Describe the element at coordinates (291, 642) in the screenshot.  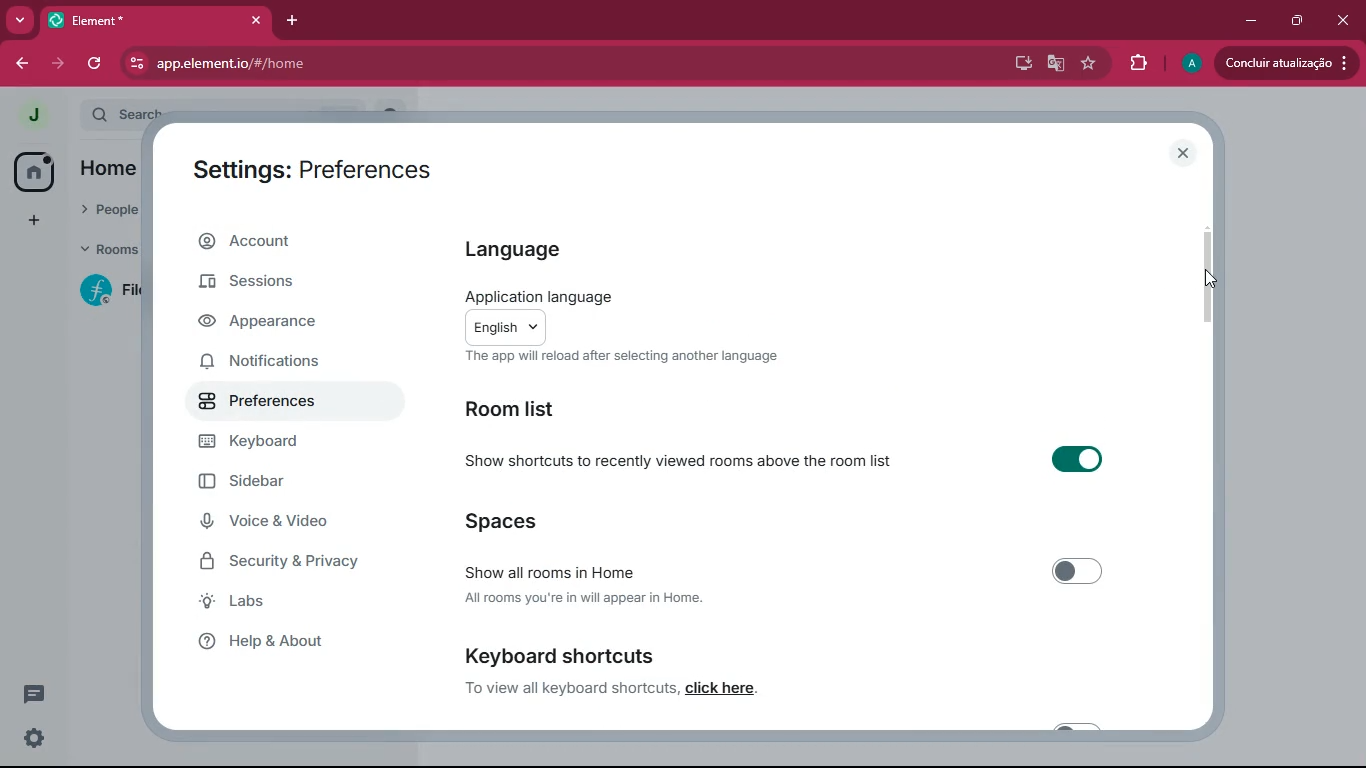
I see `help` at that location.